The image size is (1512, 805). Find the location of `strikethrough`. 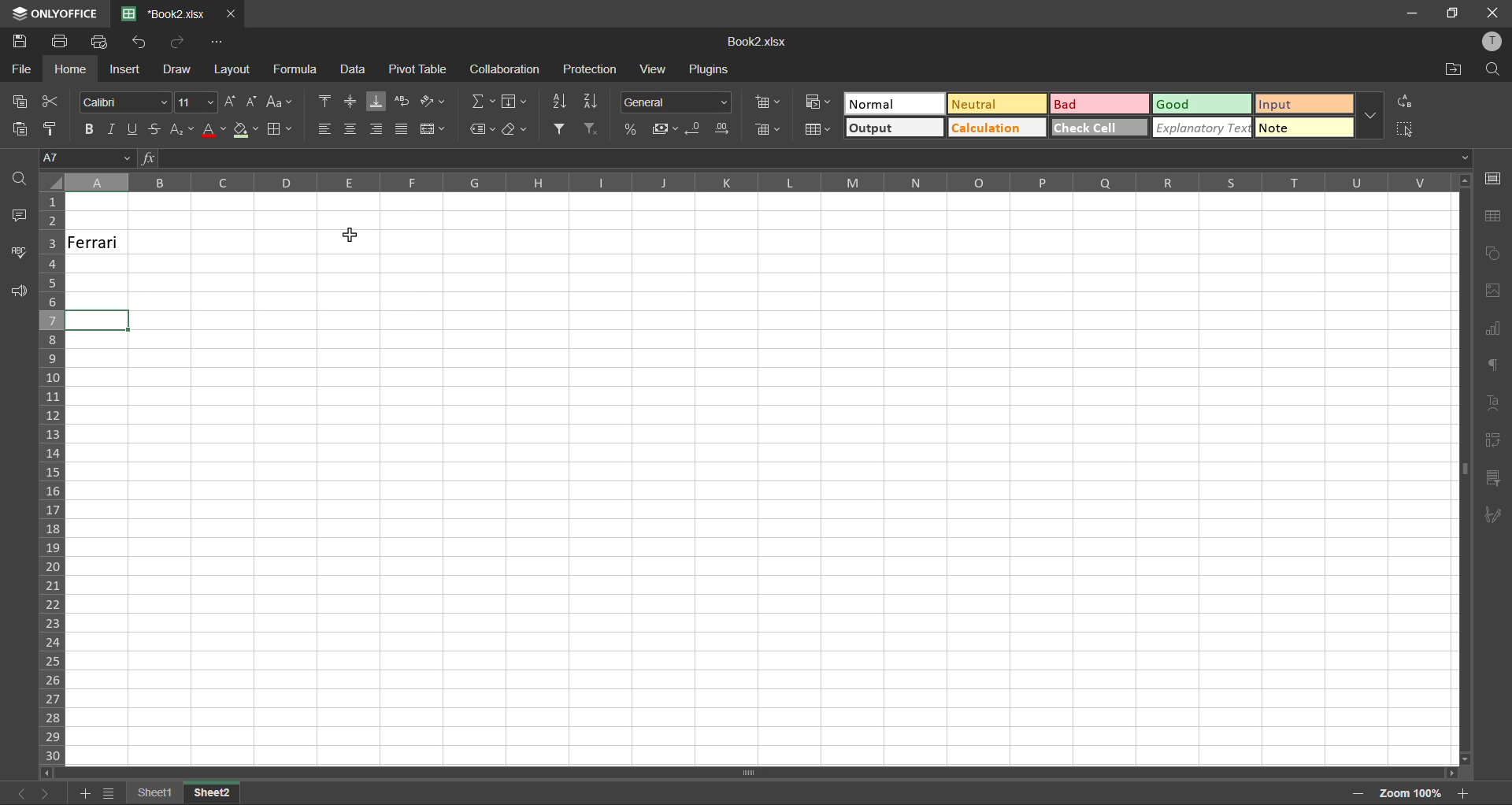

strikethrough is located at coordinates (154, 128).